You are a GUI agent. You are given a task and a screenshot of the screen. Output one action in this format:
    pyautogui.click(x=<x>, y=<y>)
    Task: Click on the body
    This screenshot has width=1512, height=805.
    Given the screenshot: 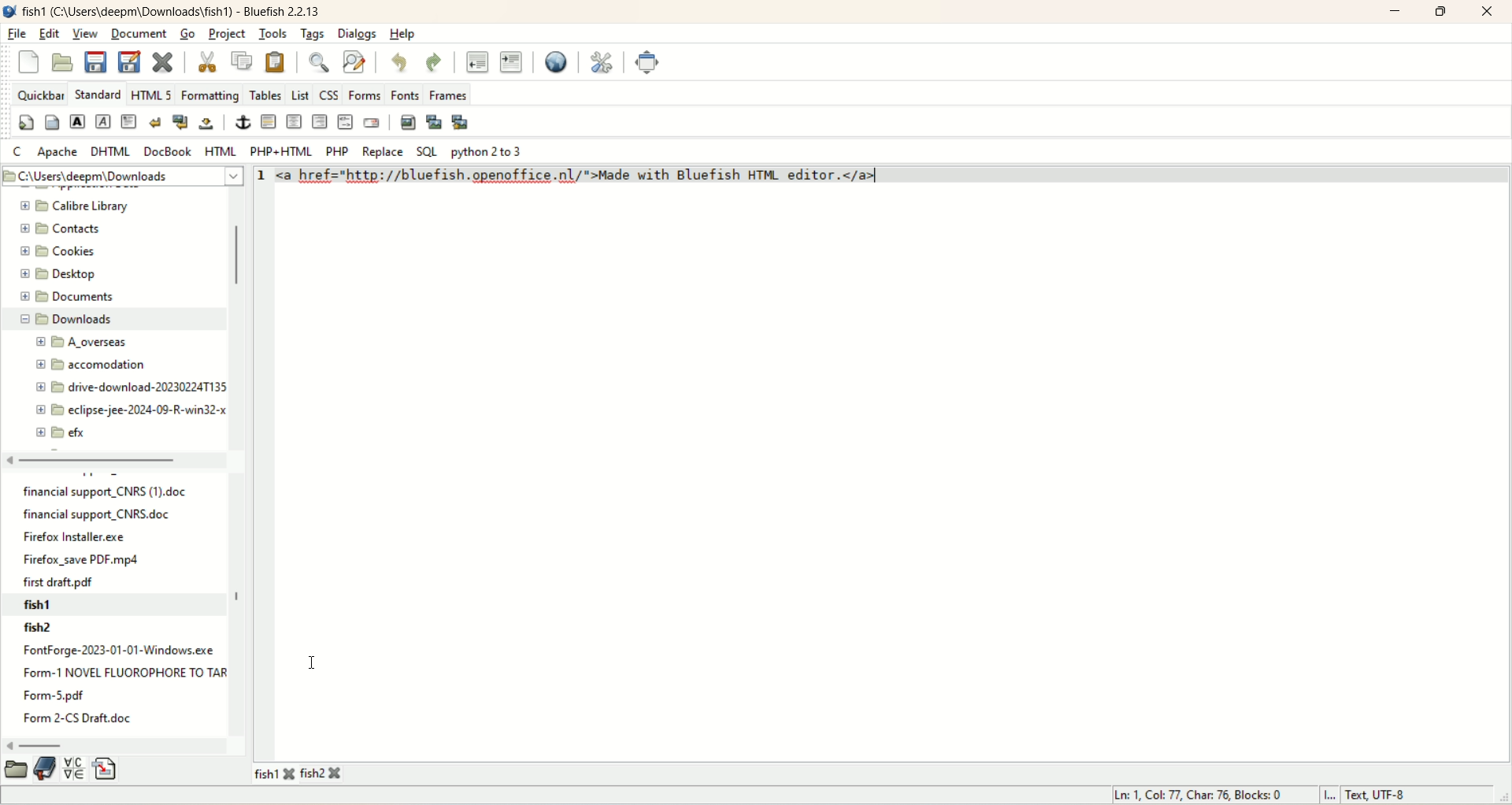 What is the action you would take?
    pyautogui.click(x=53, y=122)
    